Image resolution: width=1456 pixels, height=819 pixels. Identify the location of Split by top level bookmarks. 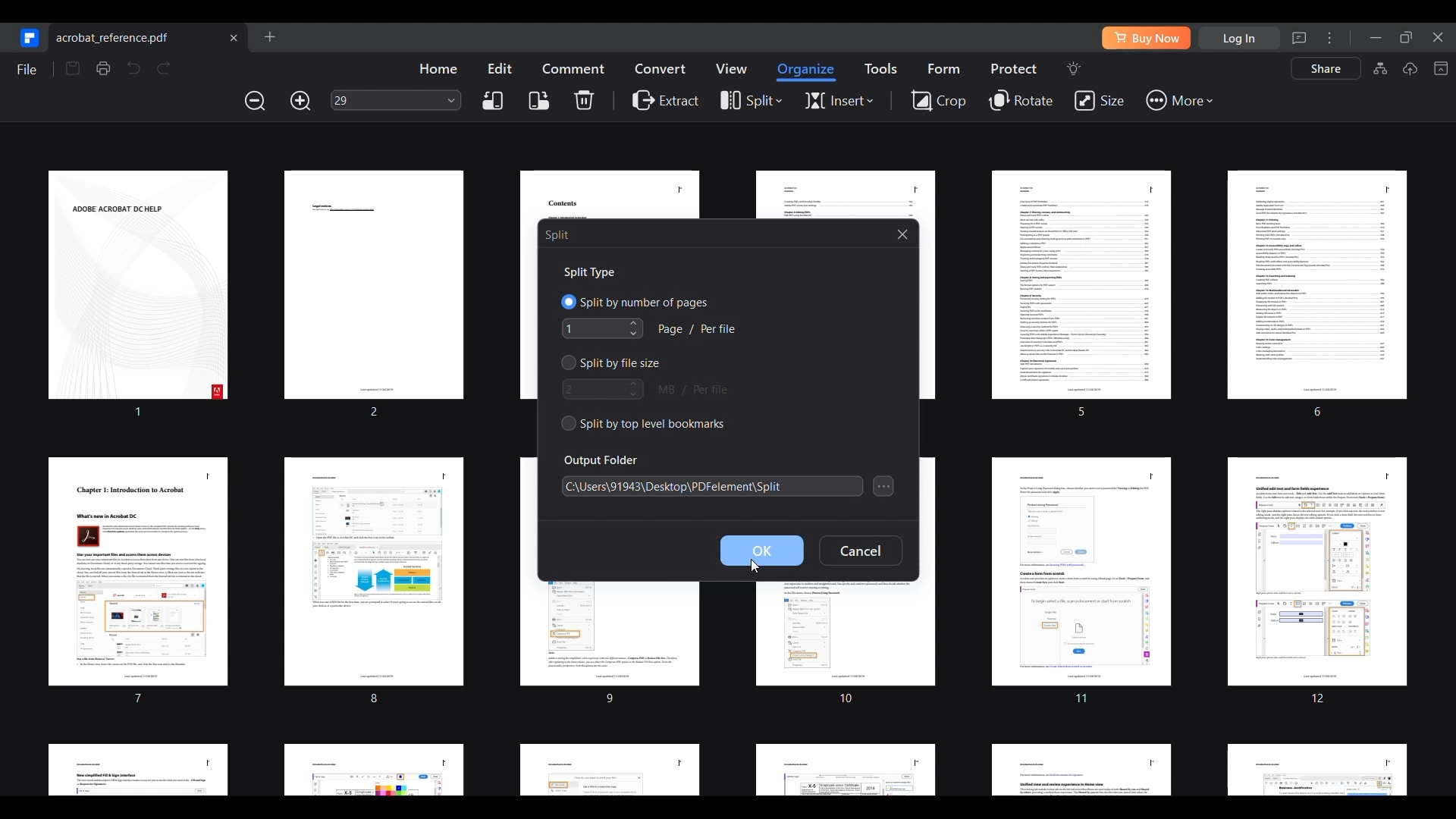
(643, 424).